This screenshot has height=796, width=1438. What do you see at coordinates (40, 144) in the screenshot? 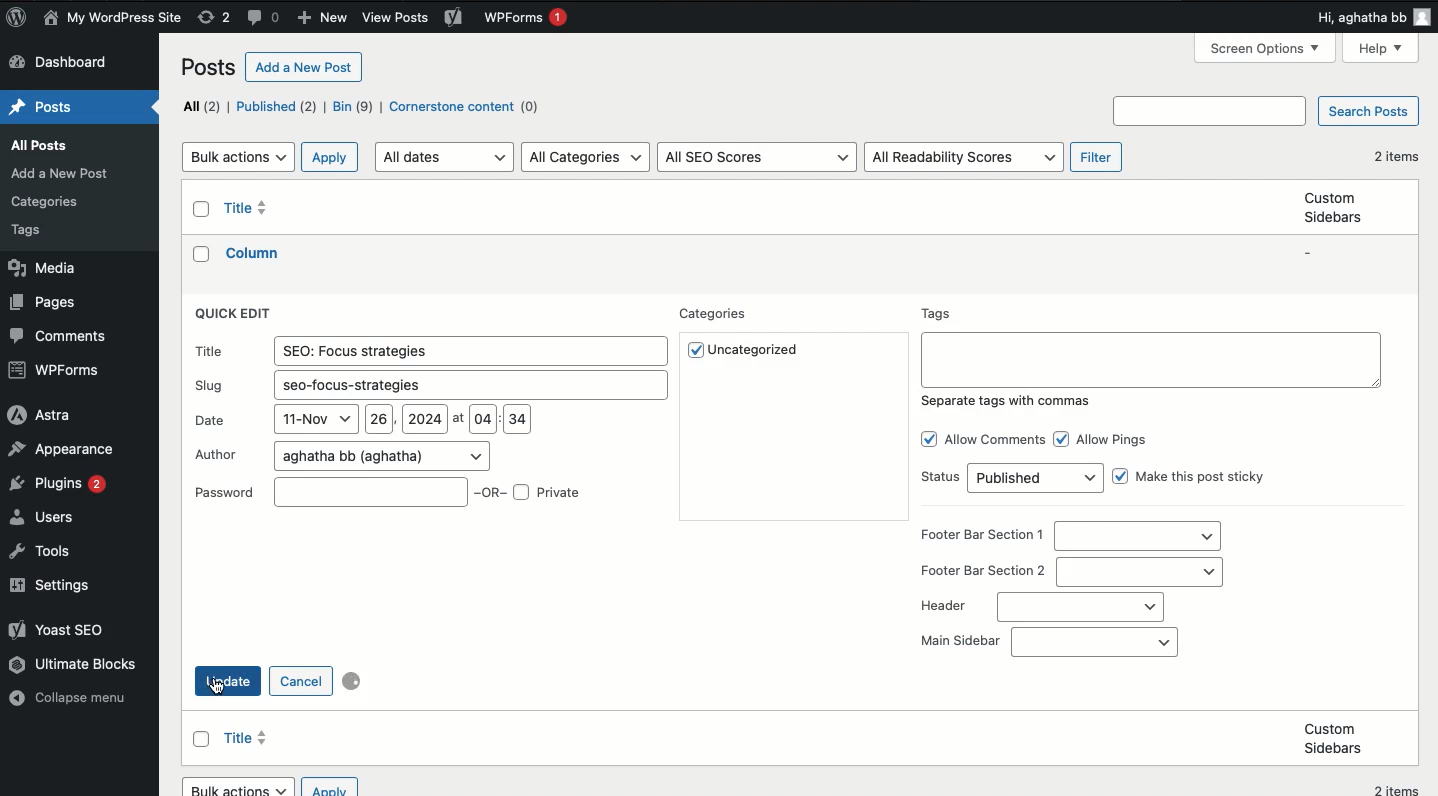
I see `Posts` at bounding box center [40, 144].